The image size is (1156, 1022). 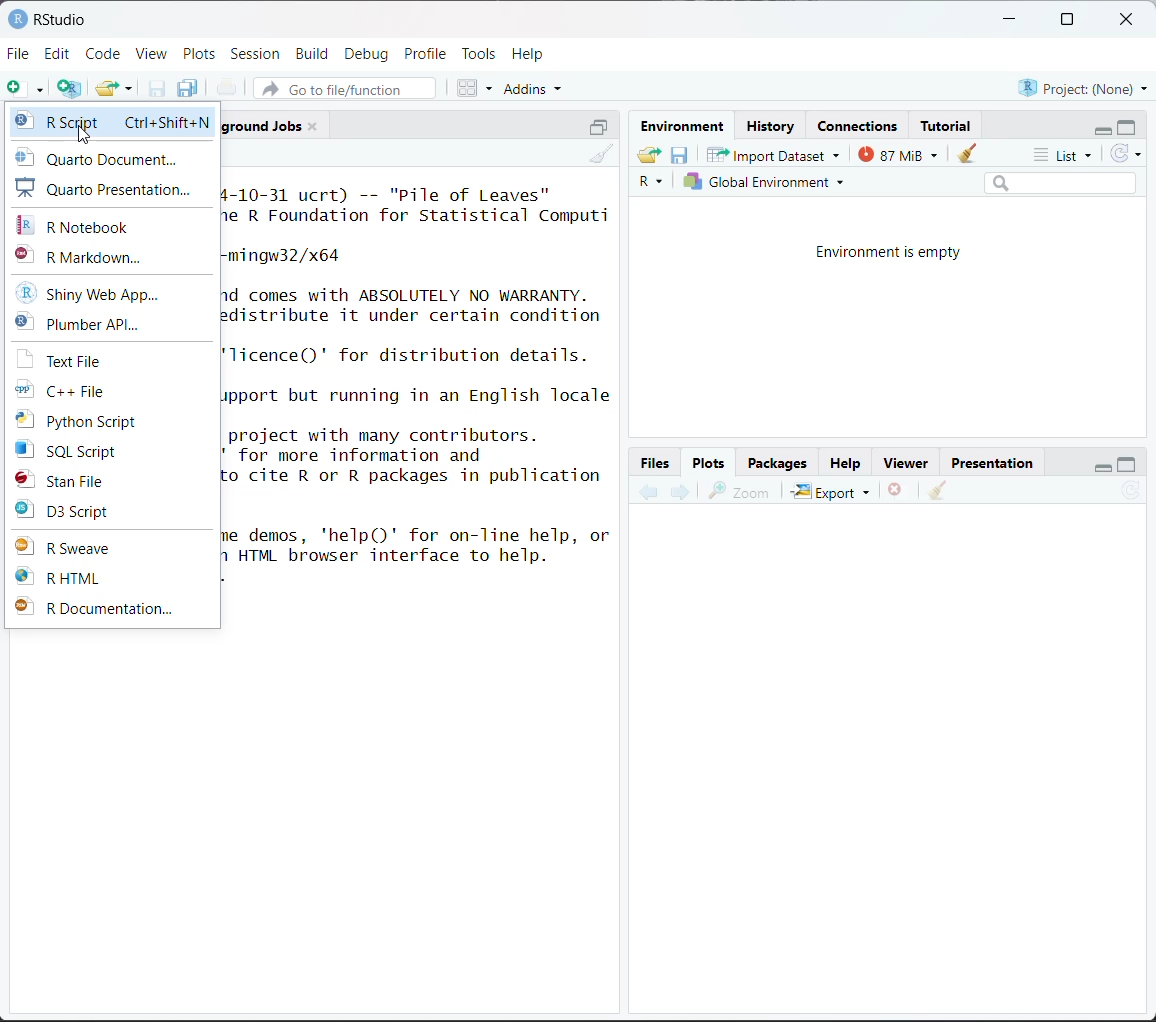 I want to click on Profile, so click(x=428, y=52).